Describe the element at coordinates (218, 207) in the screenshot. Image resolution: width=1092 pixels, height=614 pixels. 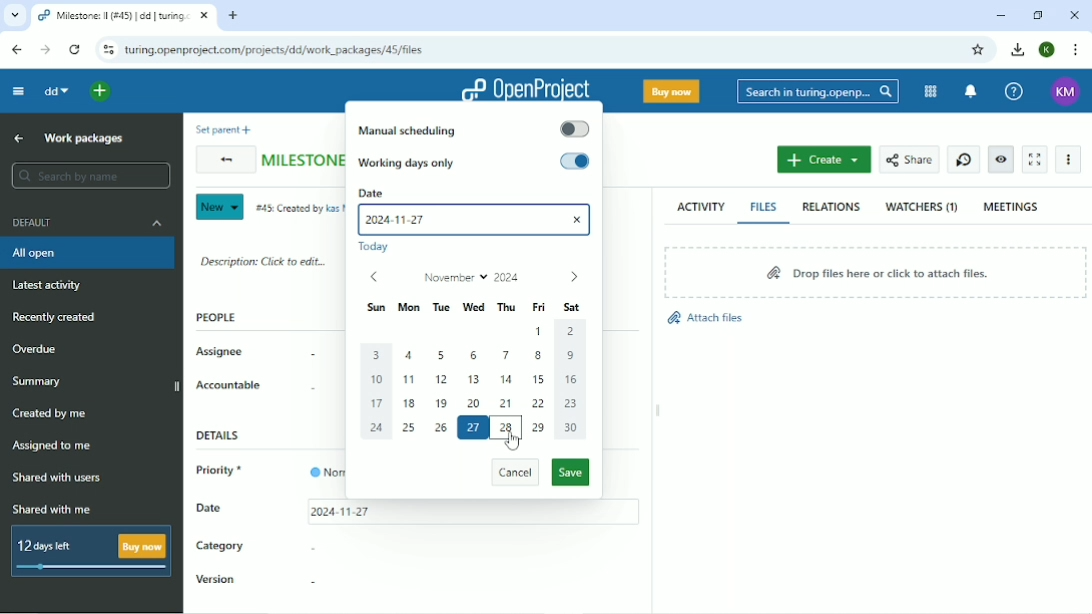
I see `New` at that location.